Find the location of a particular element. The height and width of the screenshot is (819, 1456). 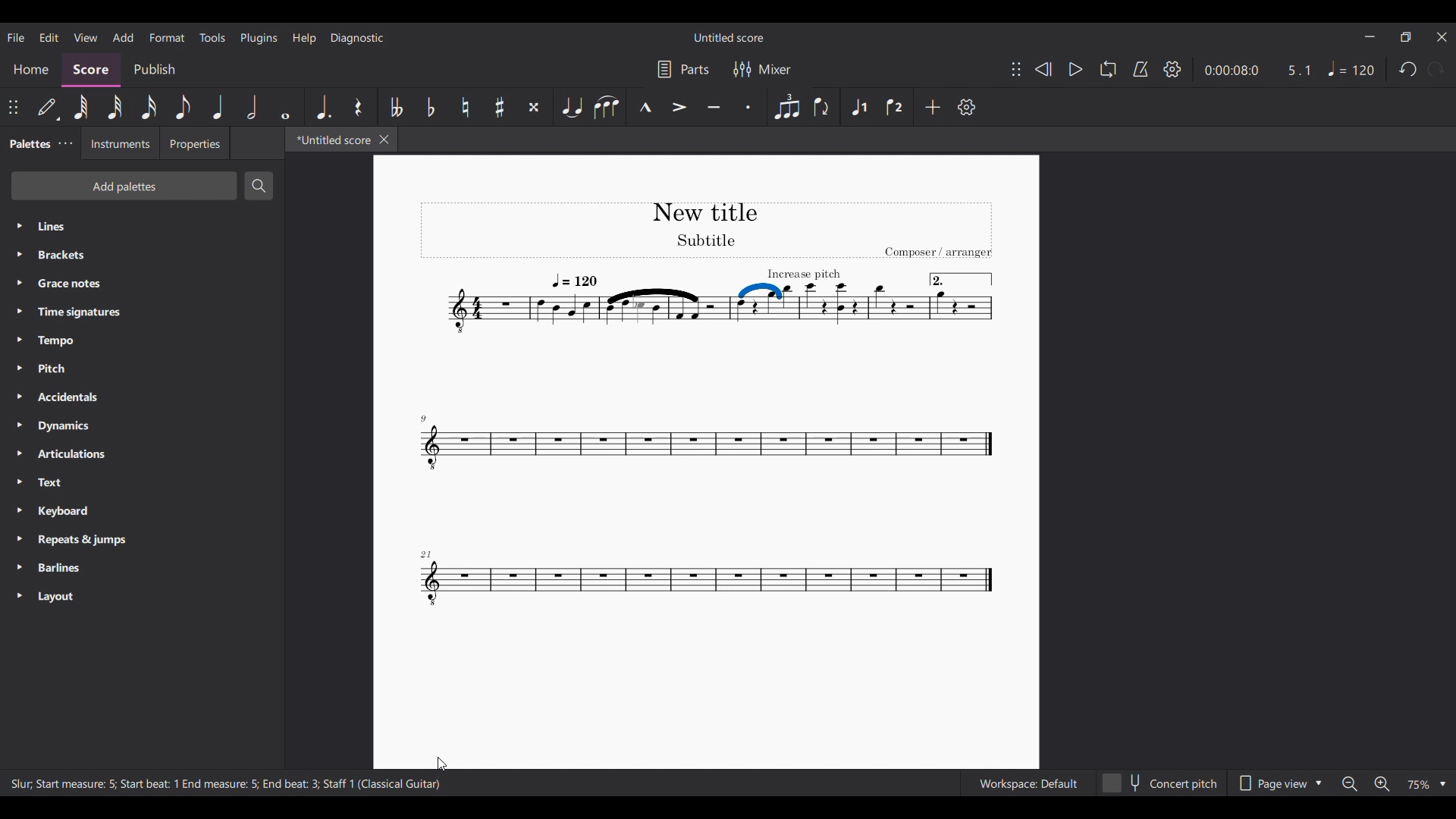

Concert pitch toggle is located at coordinates (1161, 783).